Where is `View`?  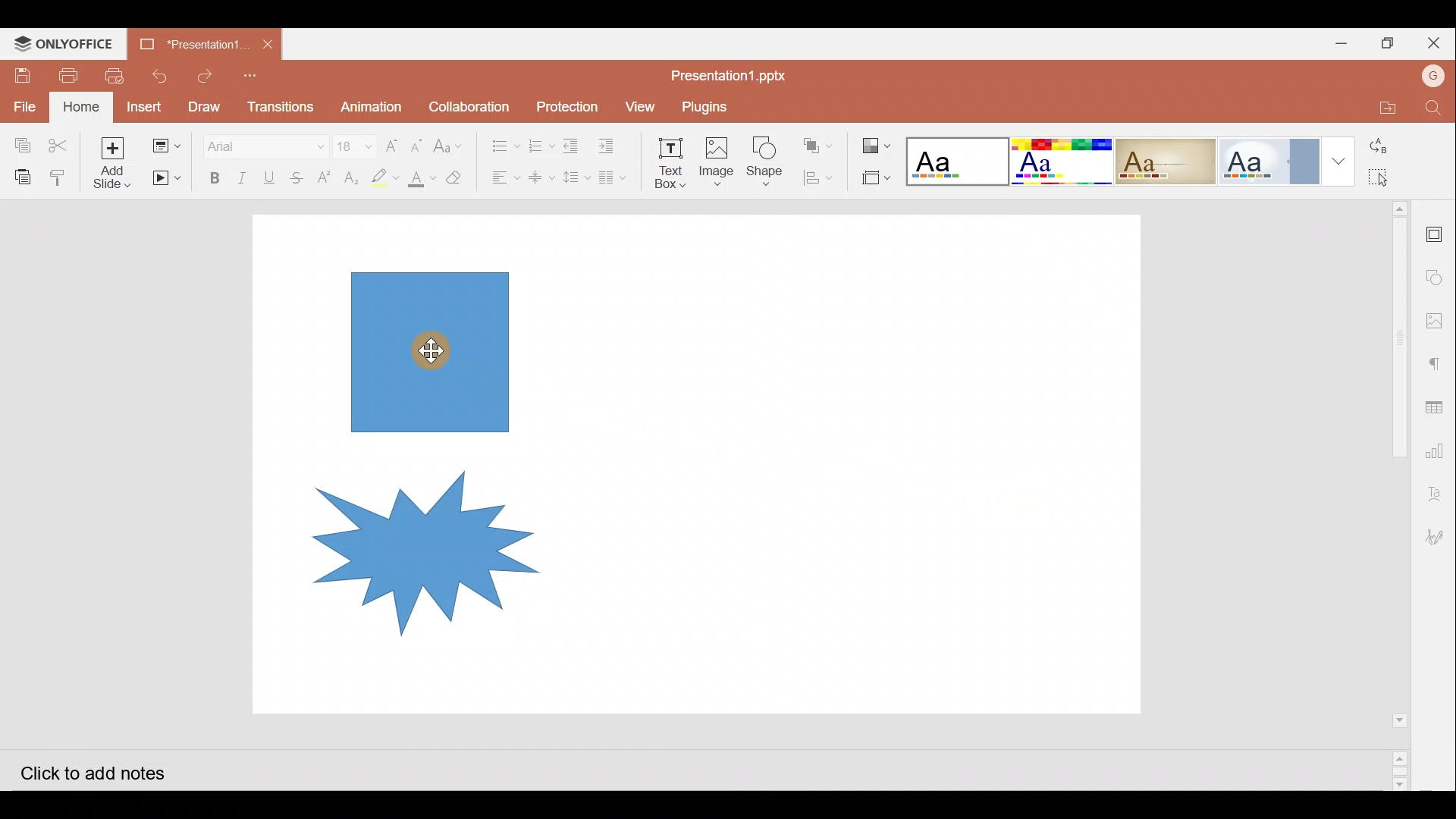
View is located at coordinates (638, 105).